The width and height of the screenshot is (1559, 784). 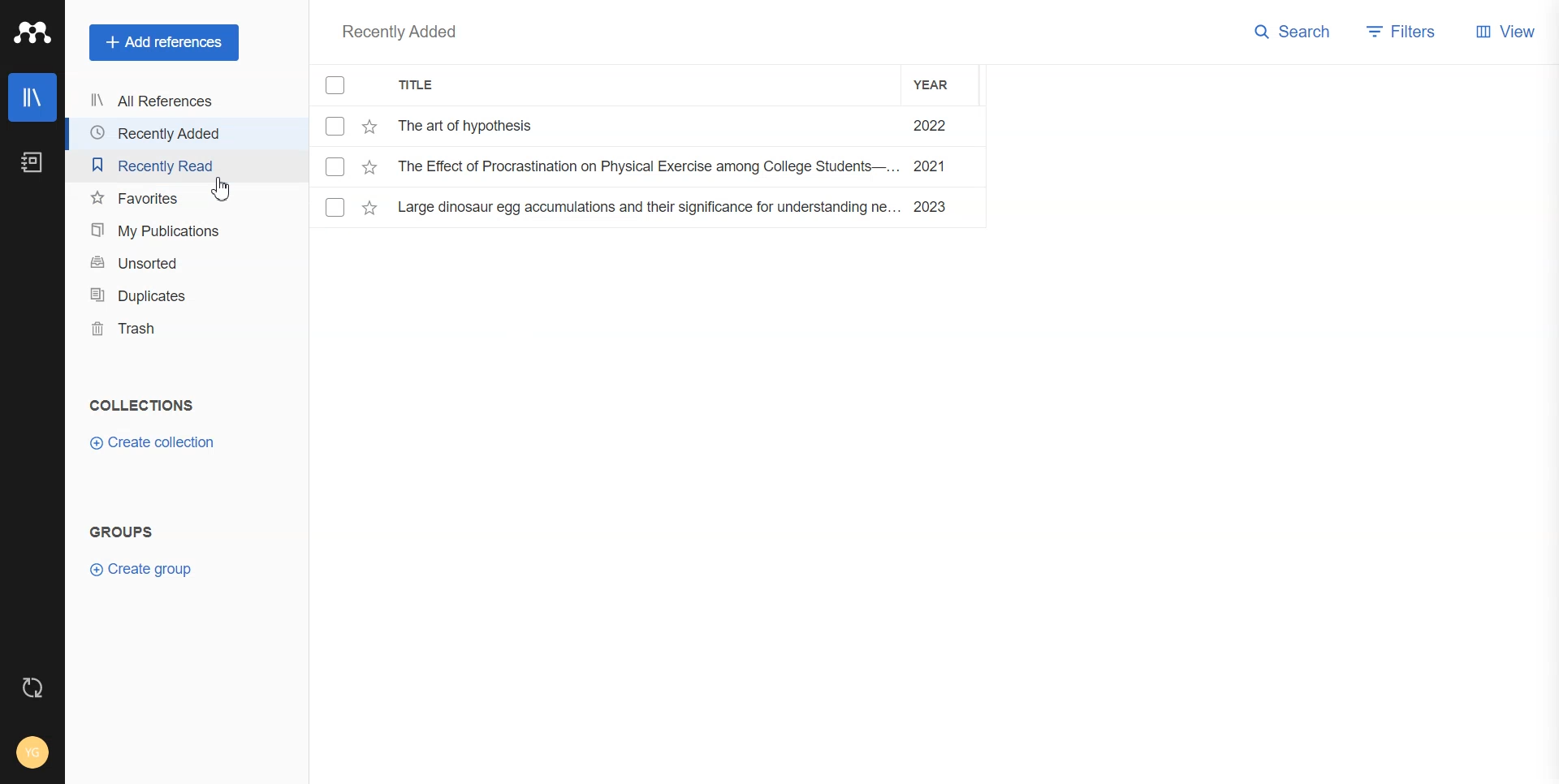 What do you see at coordinates (166, 165) in the screenshot?
I see `Recently Read` at bounding box center [166, 165].